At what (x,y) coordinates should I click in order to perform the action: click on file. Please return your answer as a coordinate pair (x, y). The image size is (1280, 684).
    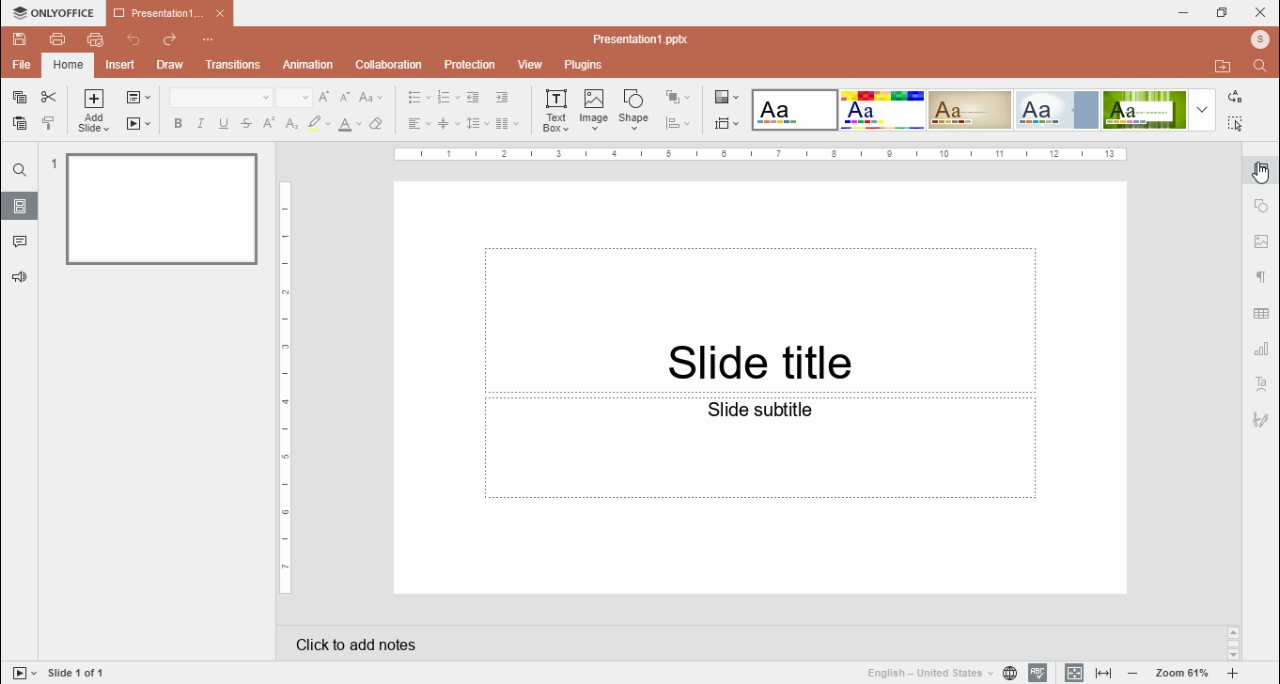
    Looking at the image, I should click on (21, 65).